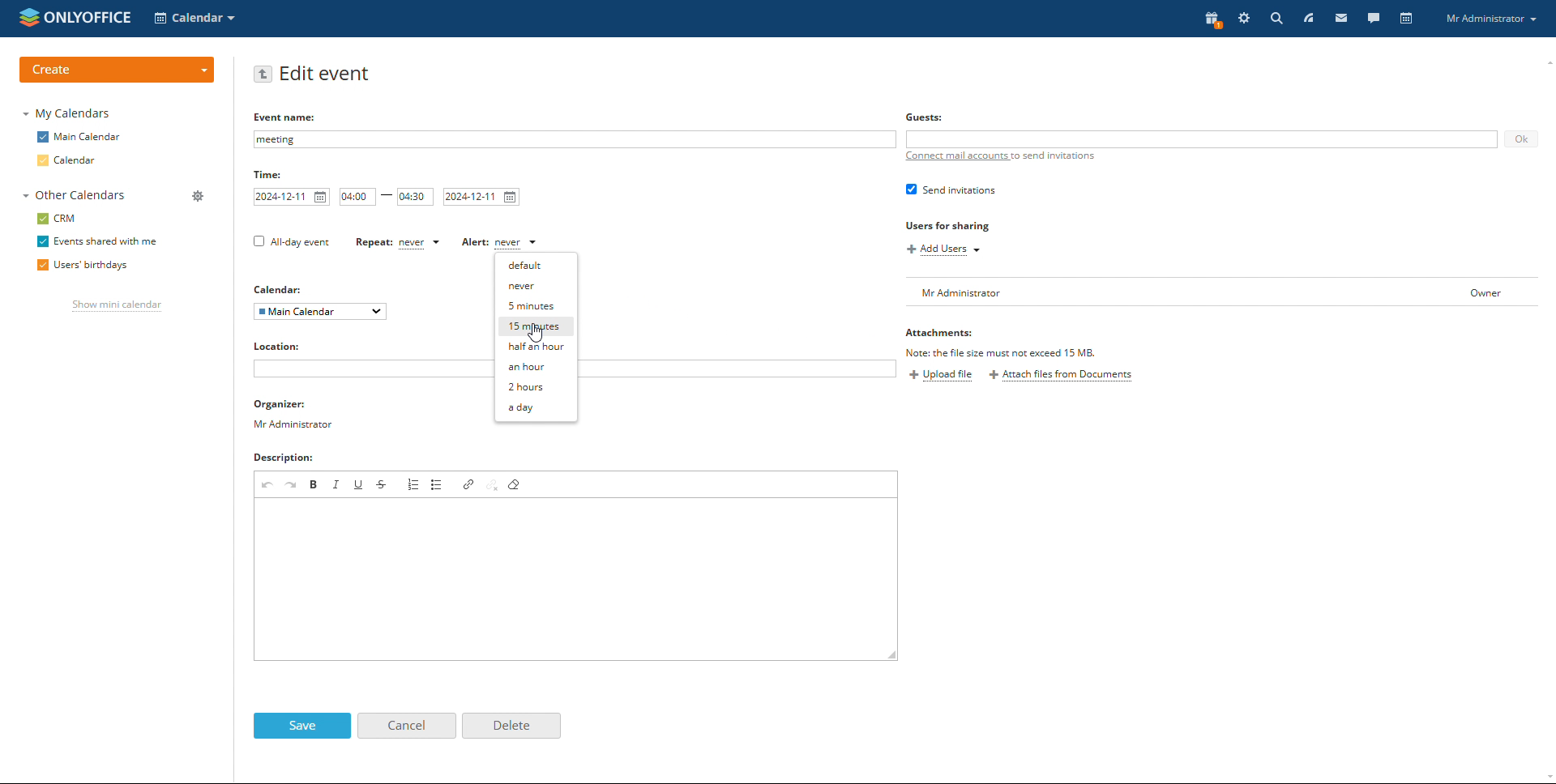  What do you see at coordinates (58, 218) in the screenshot?
I see `crm` at bounding box center [58, 218].